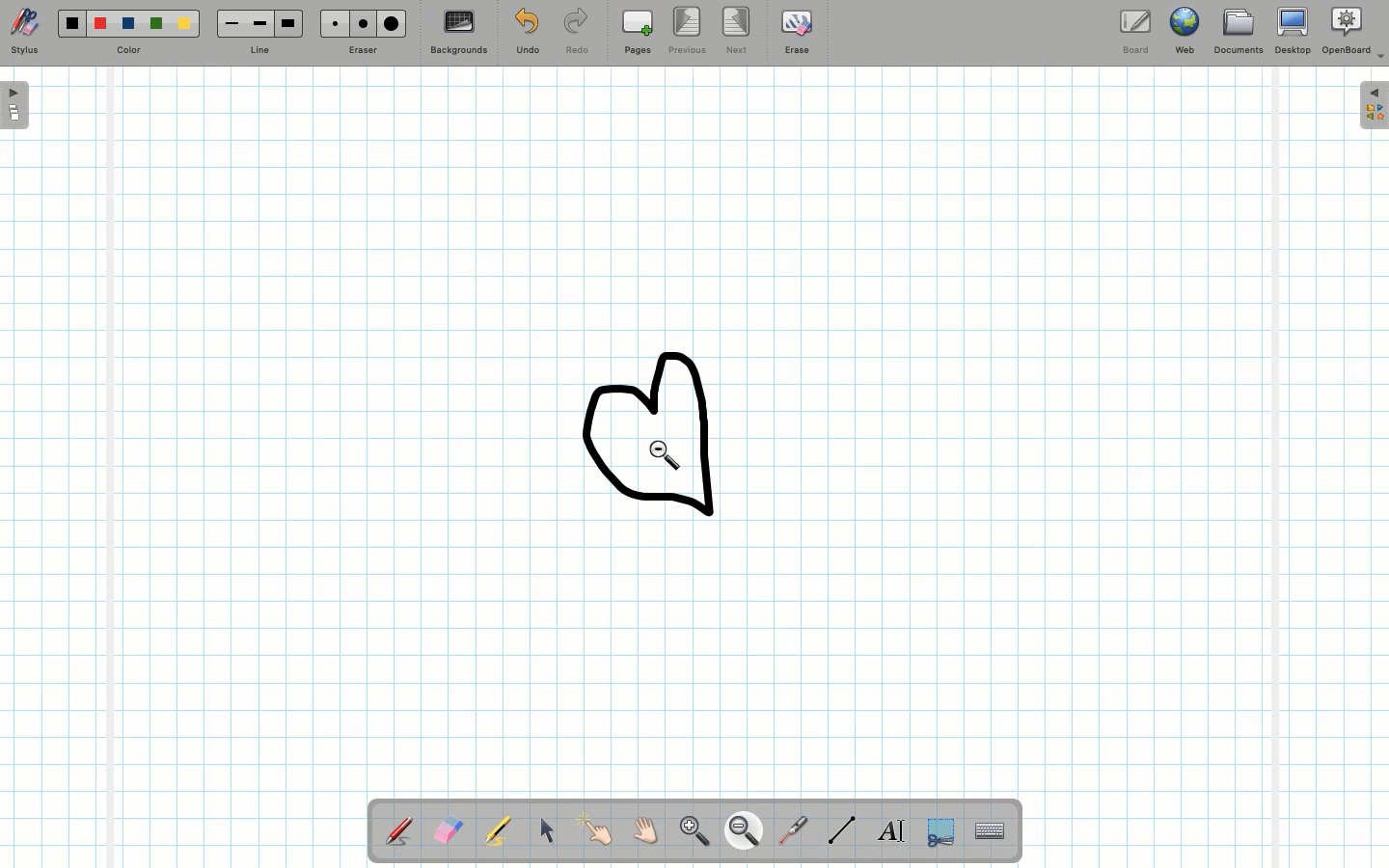  I want to click on Pointer, so click(598, 830).